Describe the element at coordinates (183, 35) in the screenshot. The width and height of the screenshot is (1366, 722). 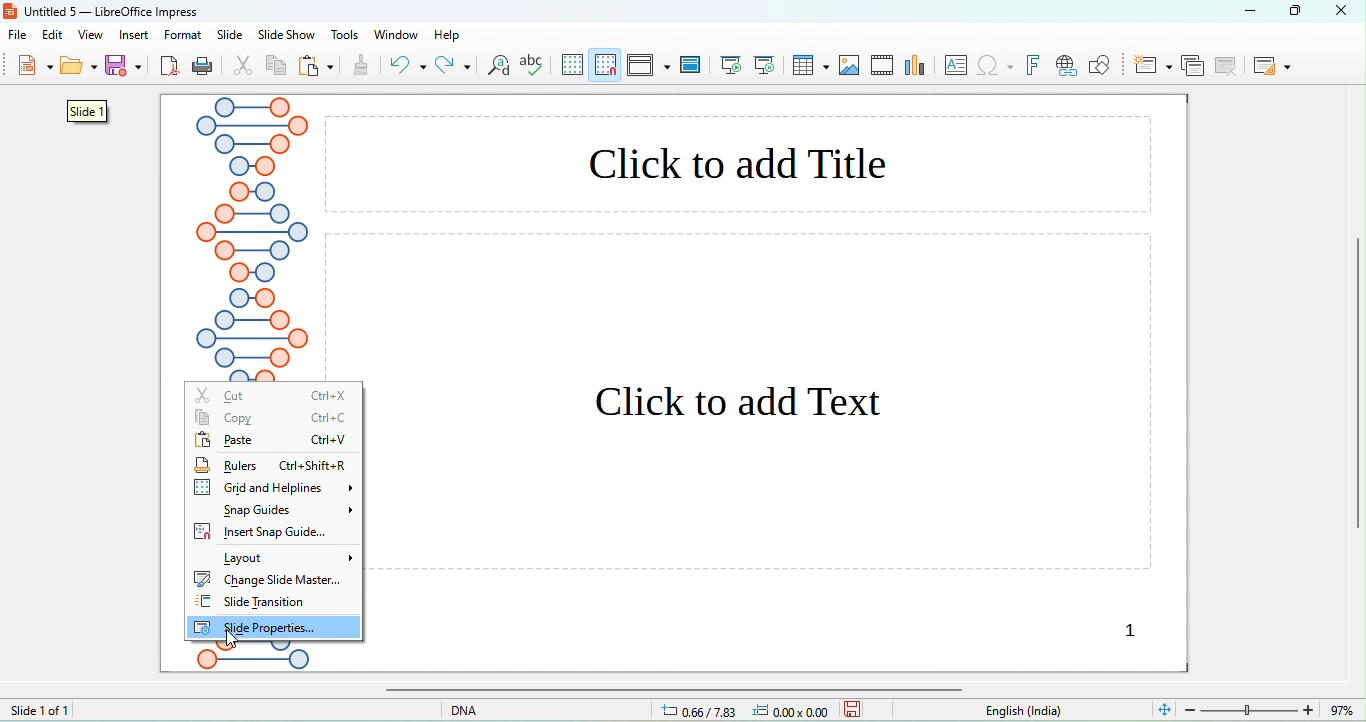
I see `format` at that location.